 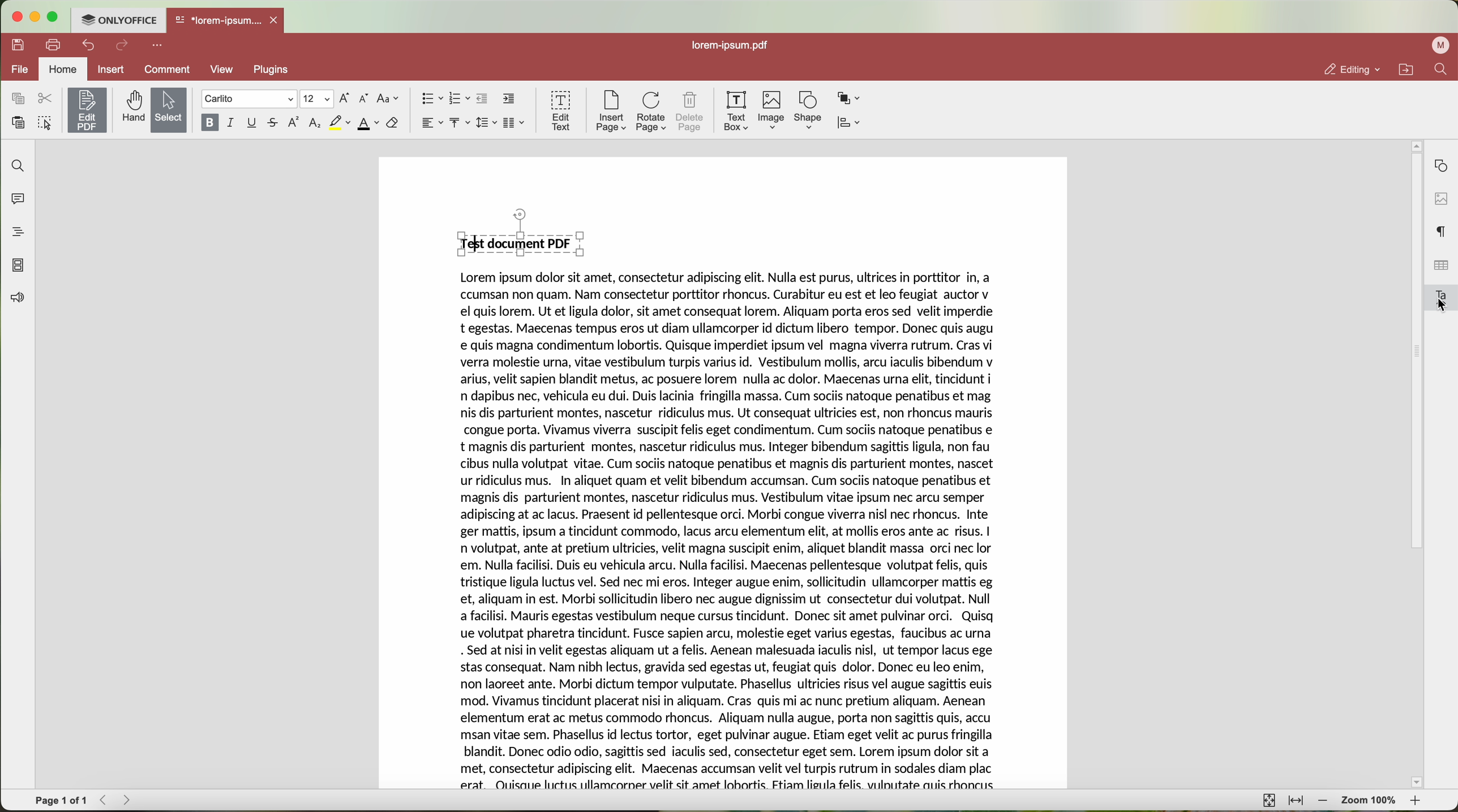 What do you see at coordinates (610, 113) in the screenshot?
I see `insert page` at bounding box center [610, 113].